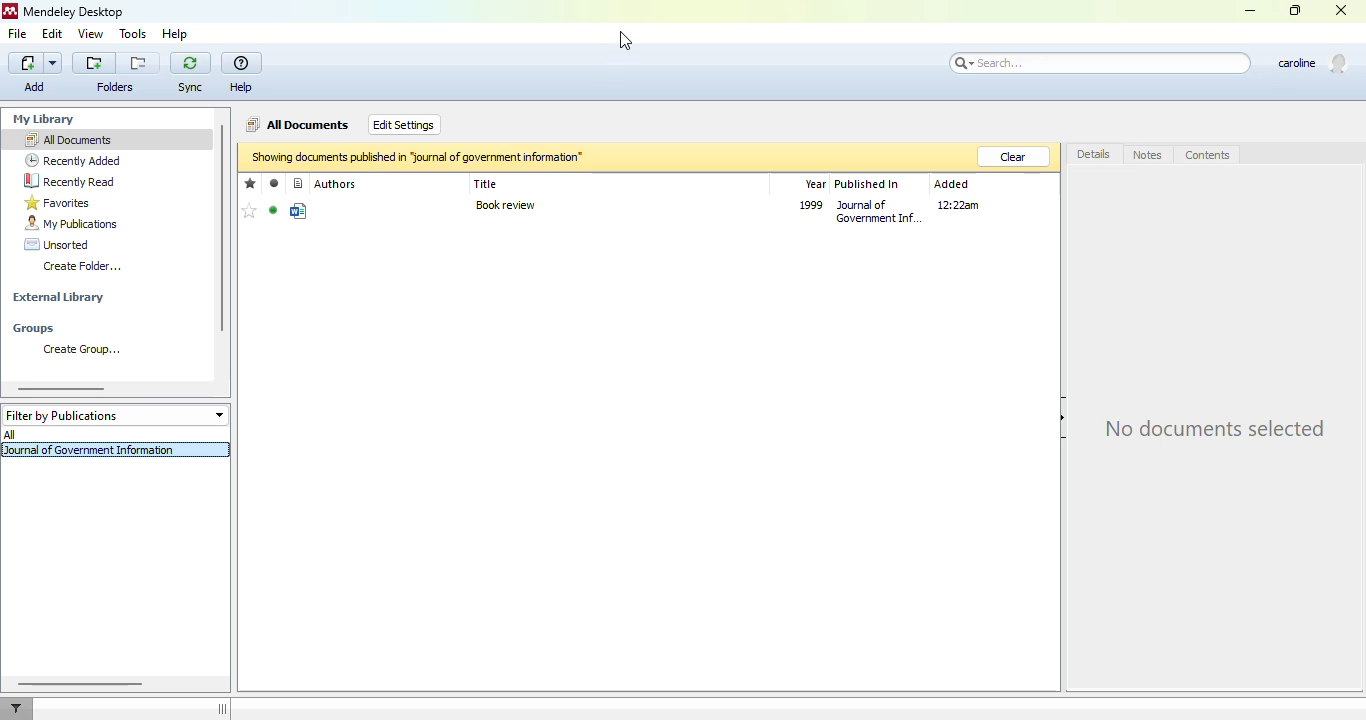 The height and width of the screenshot is (720, 1366). Describe the element at coordinates (75, 11) in the screenshot. I see `mendeley desktop` at that location.